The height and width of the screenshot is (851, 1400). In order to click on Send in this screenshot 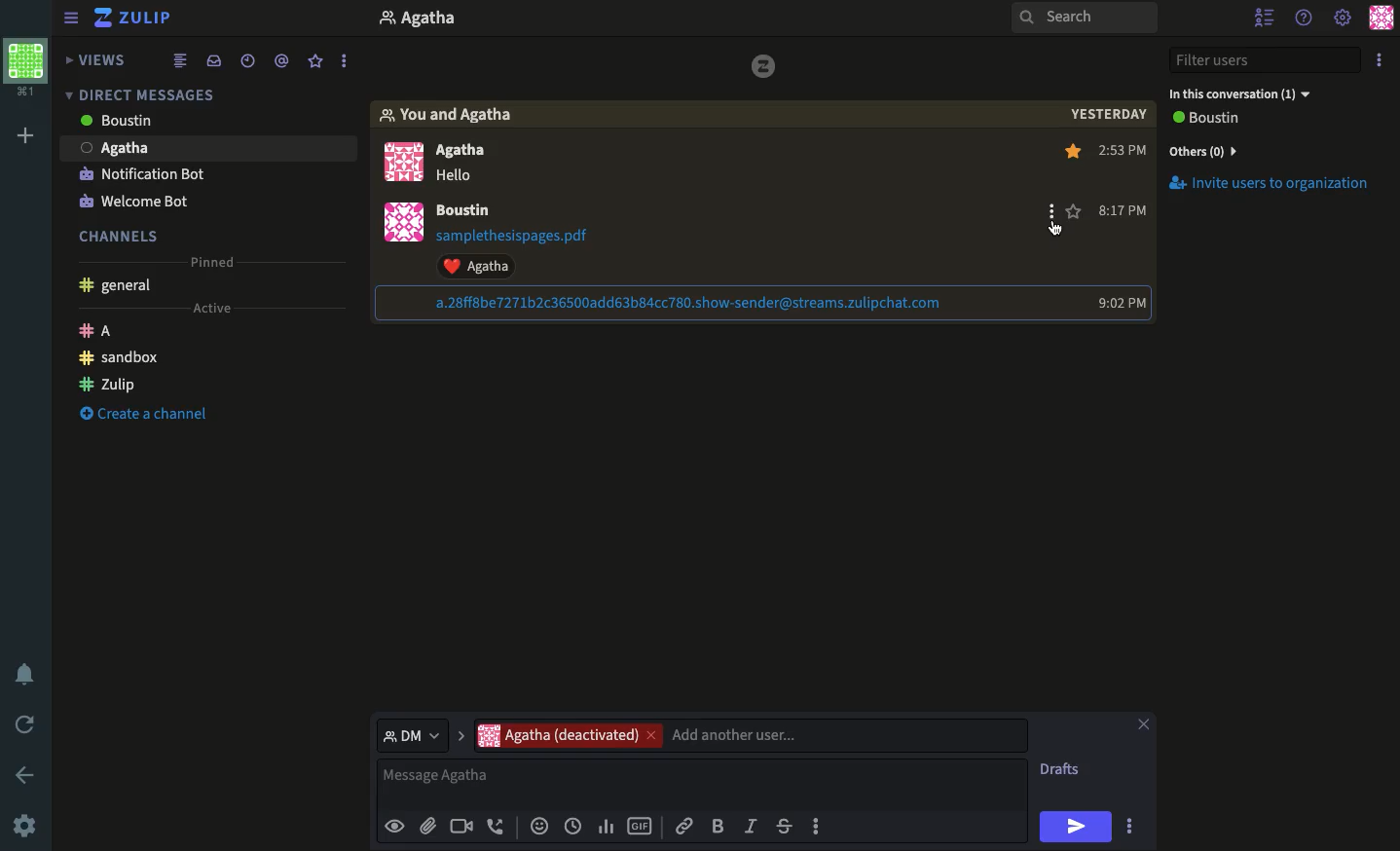, I will do `click(1076, 827)`.